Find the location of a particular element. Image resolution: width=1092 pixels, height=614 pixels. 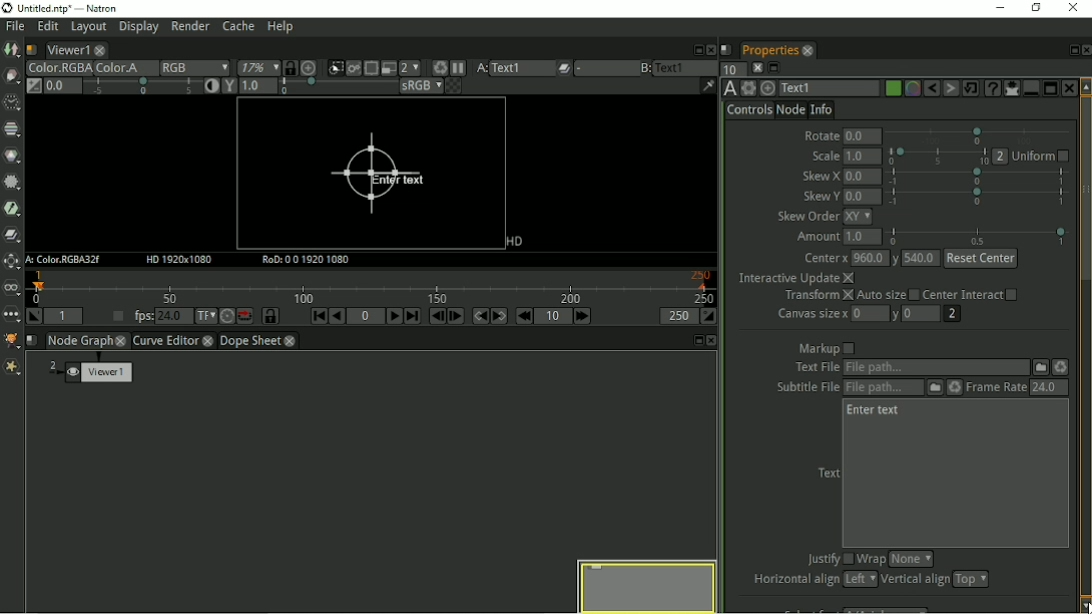

Redo is located at coordinates (951, 87).